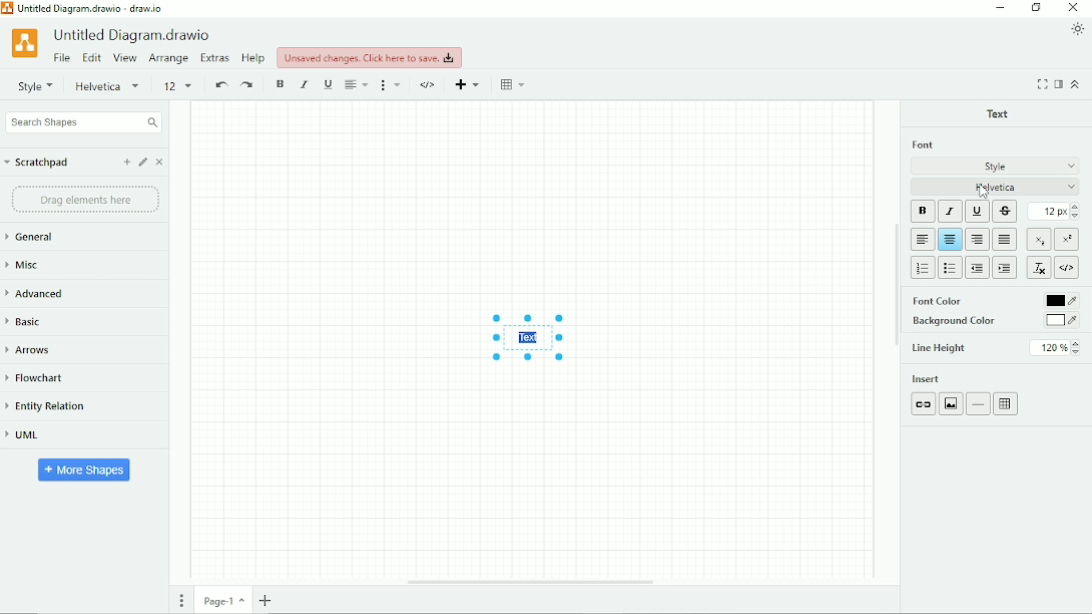 This screenshot has width=1092, height=614. What do you see at coordinates (964, 320) in the screenshot?
I see `Background Color` at bounding box center [964, 320].